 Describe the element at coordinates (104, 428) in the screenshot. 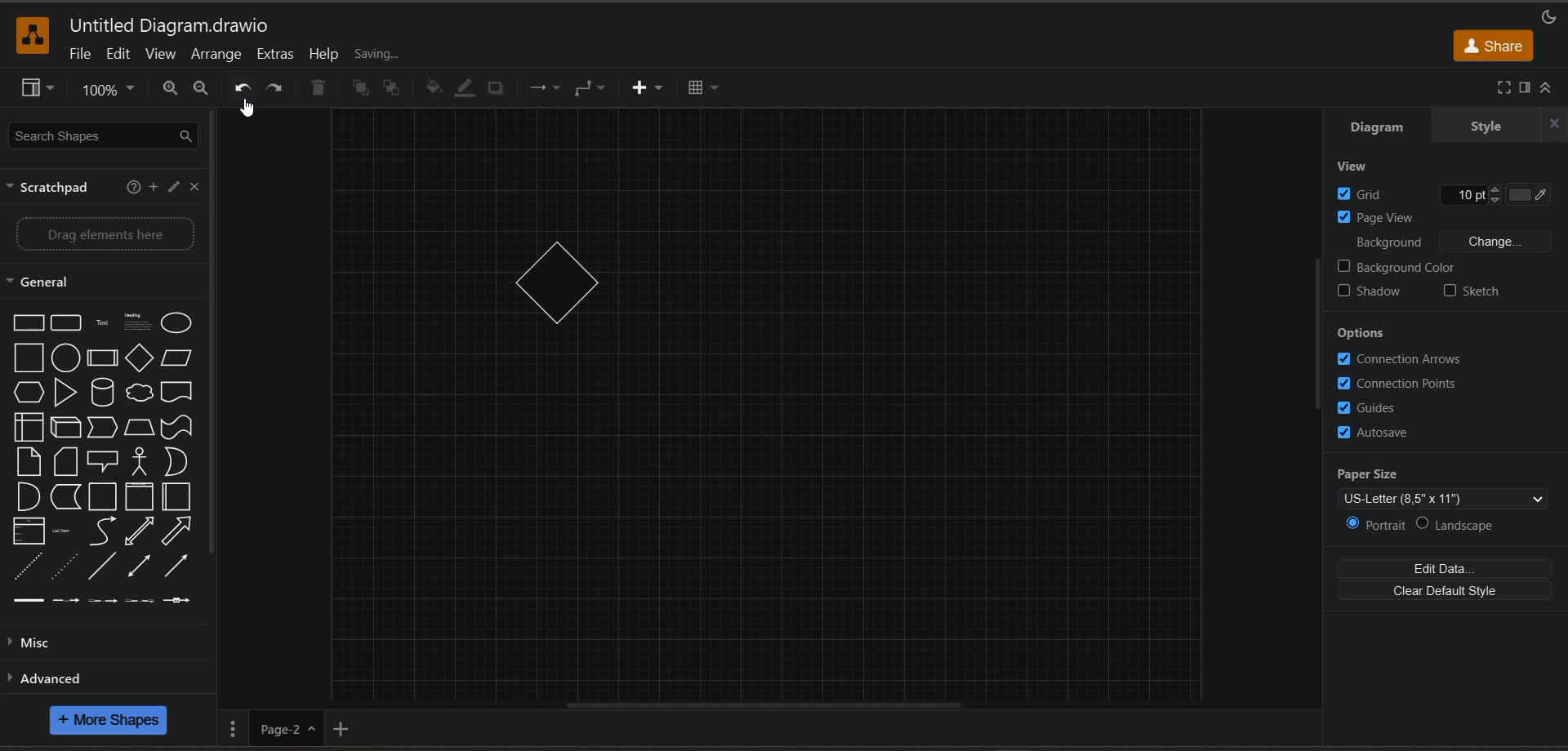

I see `Step` at that location.